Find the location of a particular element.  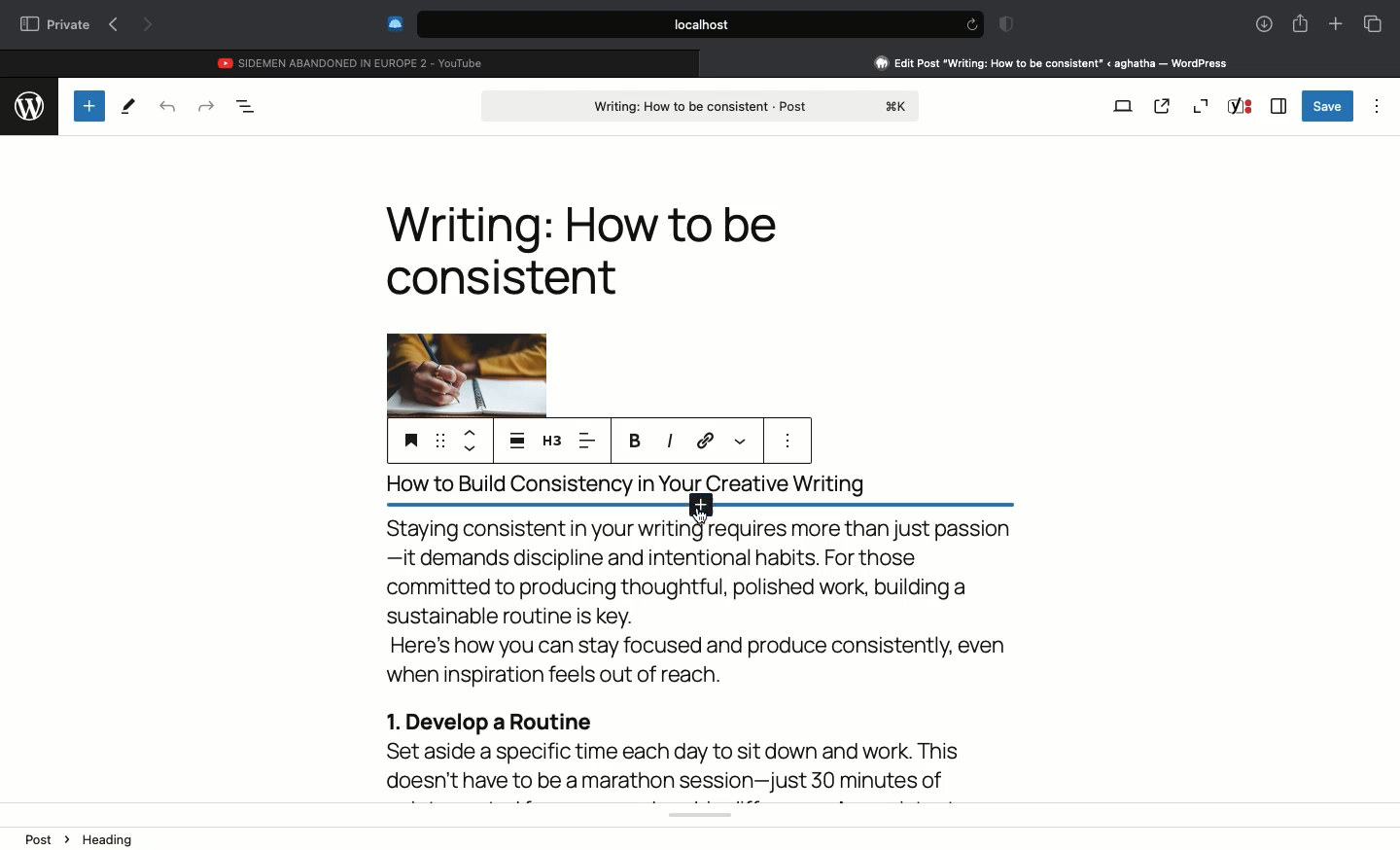

Add new block is located at coordinates (689, 509).